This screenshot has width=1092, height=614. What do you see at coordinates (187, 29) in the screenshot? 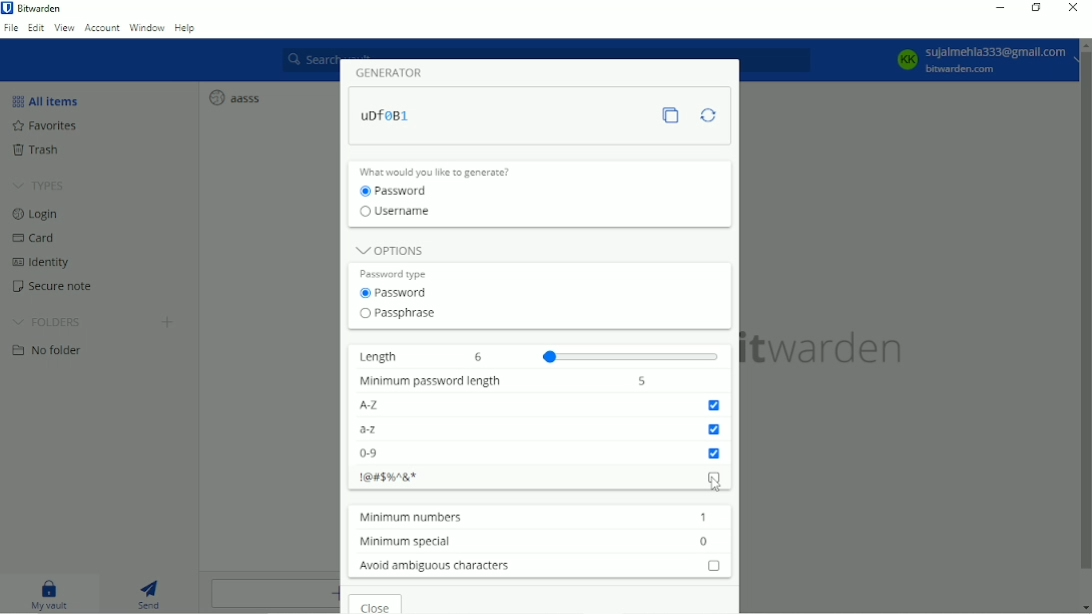
I see `Help` at bounding box center [187, 29].